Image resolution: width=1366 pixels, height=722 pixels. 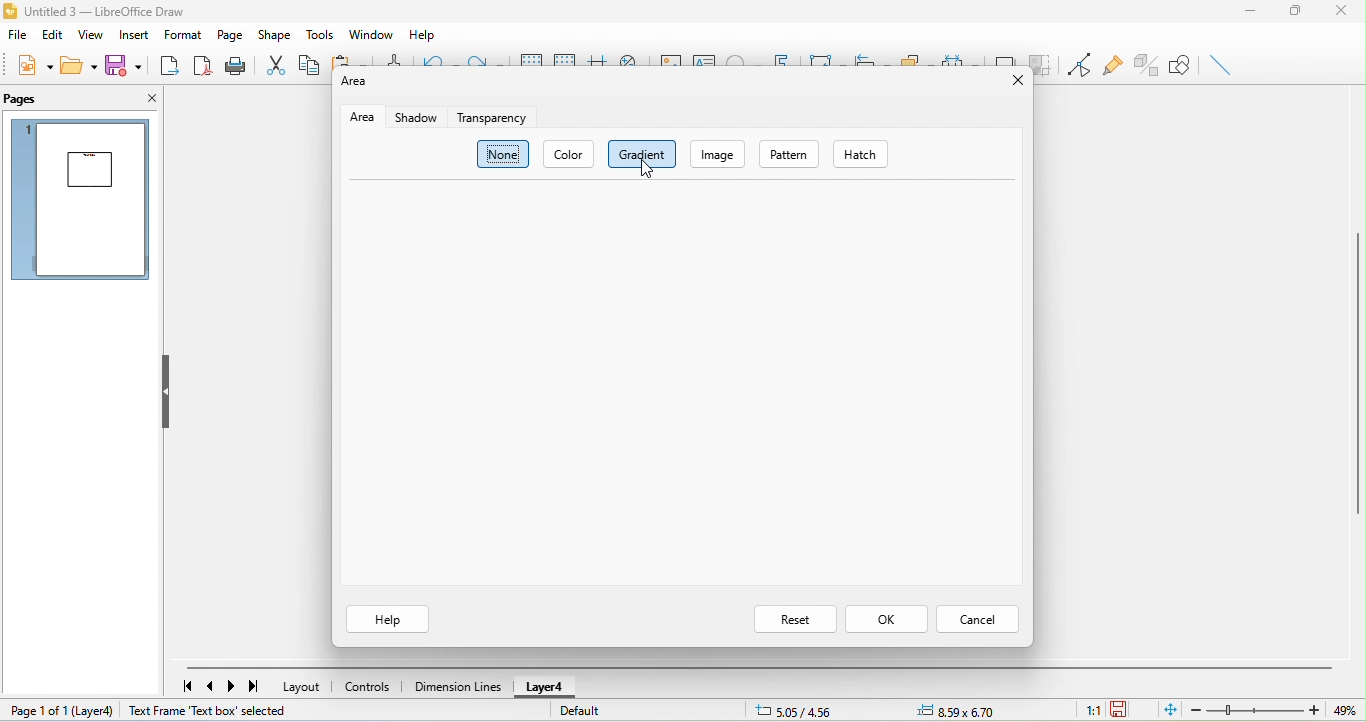 What do you see at coordinates (1345, 11) in the screenshot?
I see `close` at bounding box center [1345, 11].